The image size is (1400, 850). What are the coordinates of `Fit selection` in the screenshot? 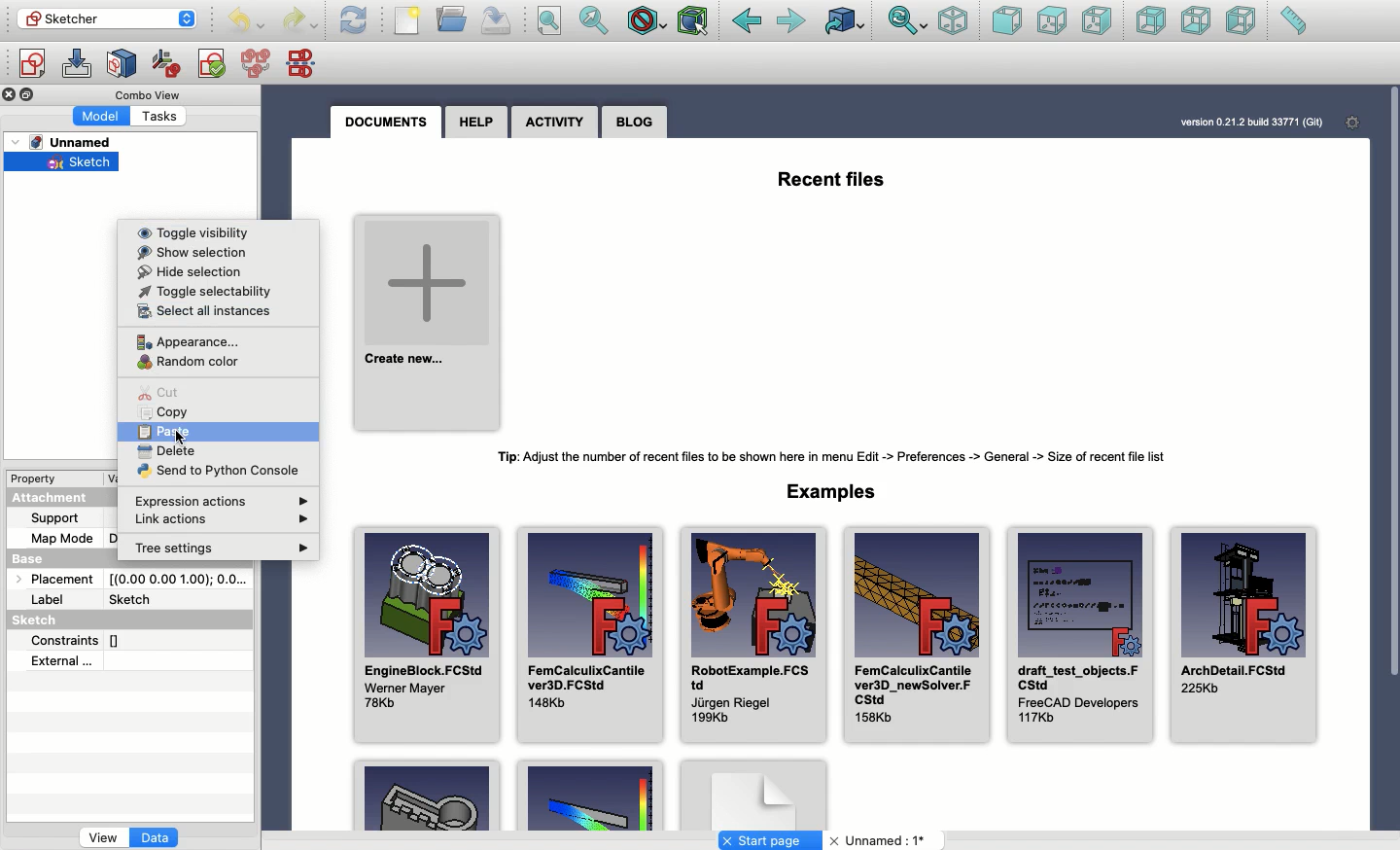 It's located at (595, 20).